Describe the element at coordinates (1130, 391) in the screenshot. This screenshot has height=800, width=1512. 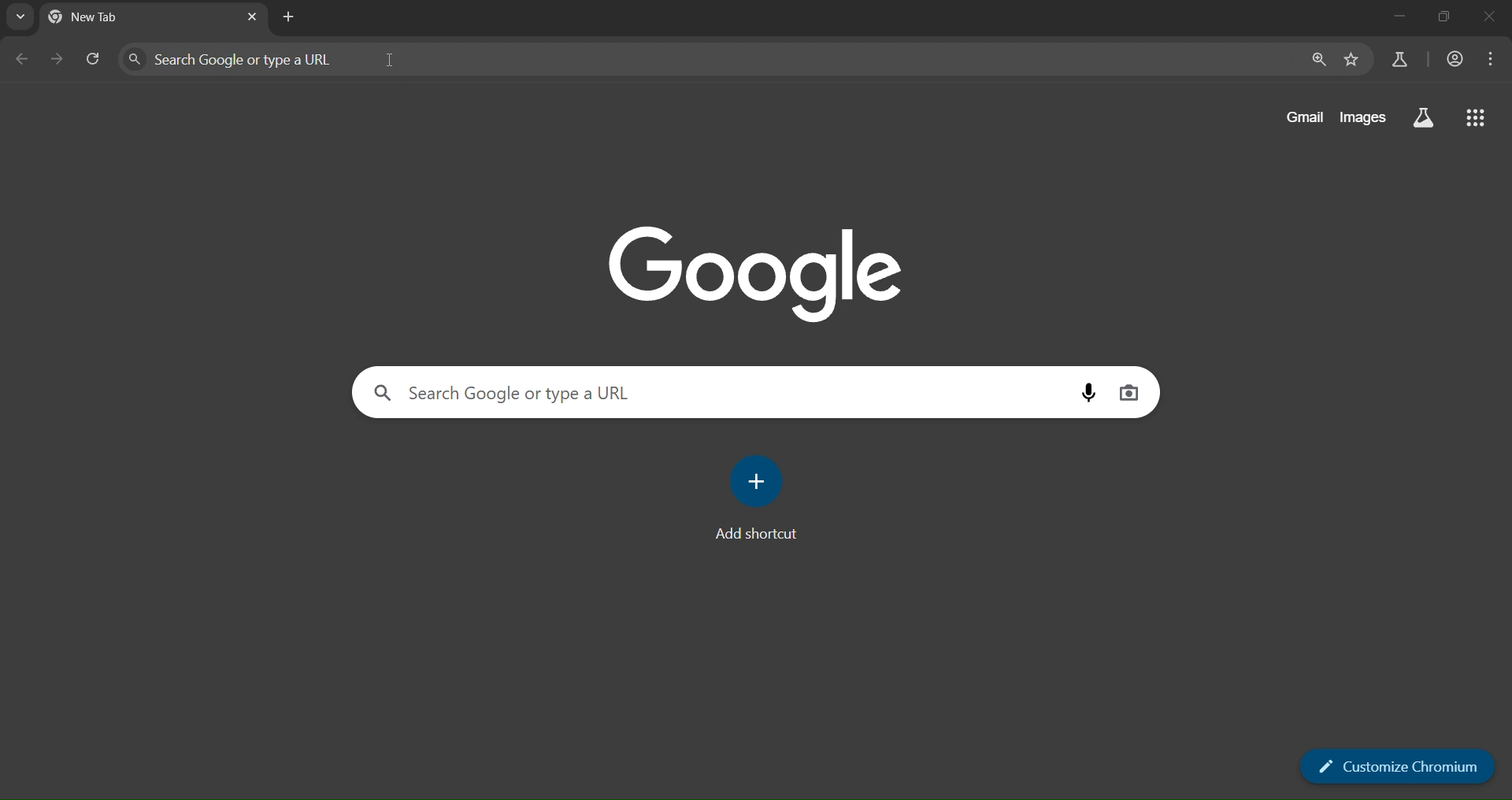
I see `image search` at that location.